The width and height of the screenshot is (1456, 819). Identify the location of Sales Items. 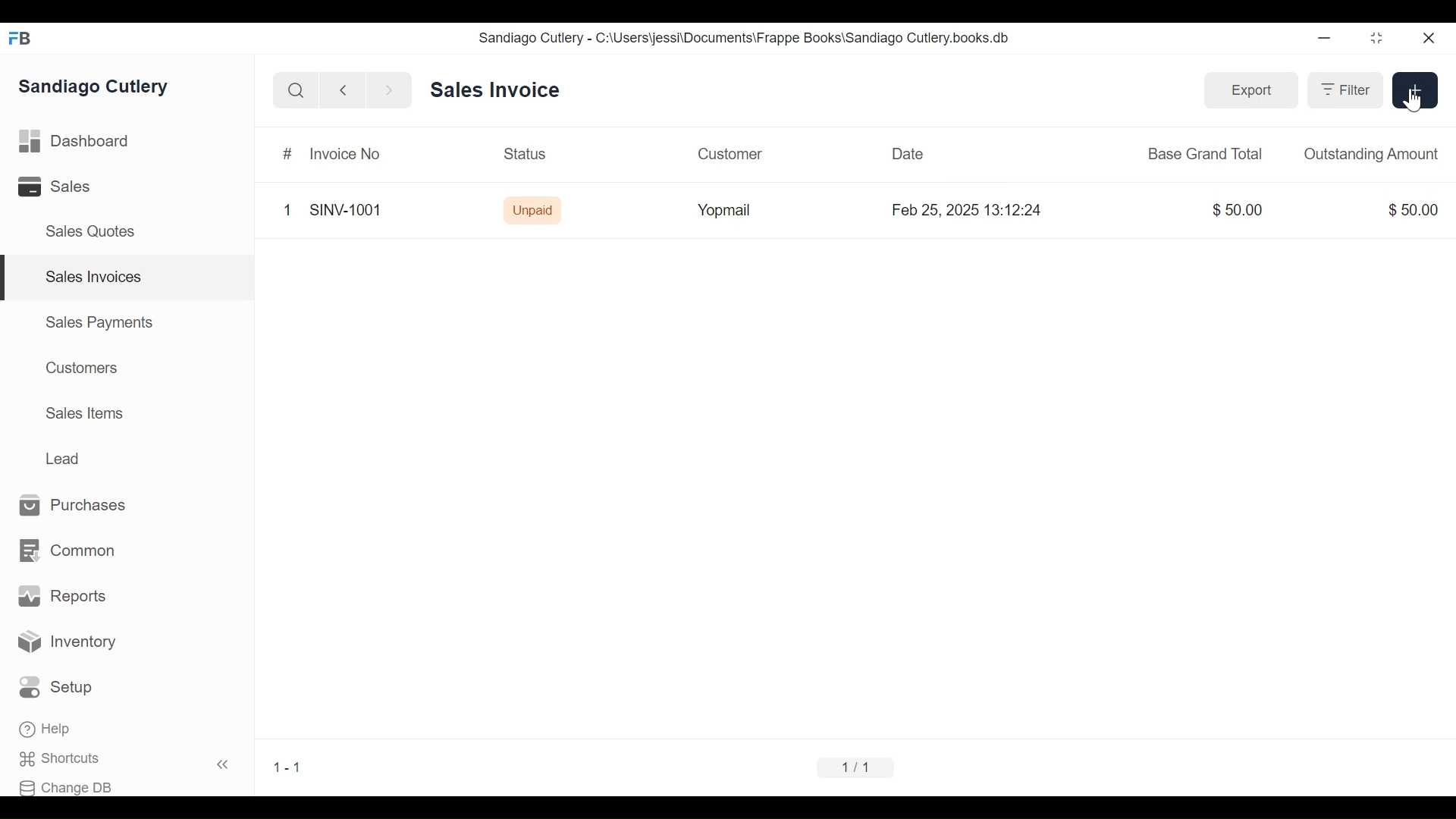
(84, 412).